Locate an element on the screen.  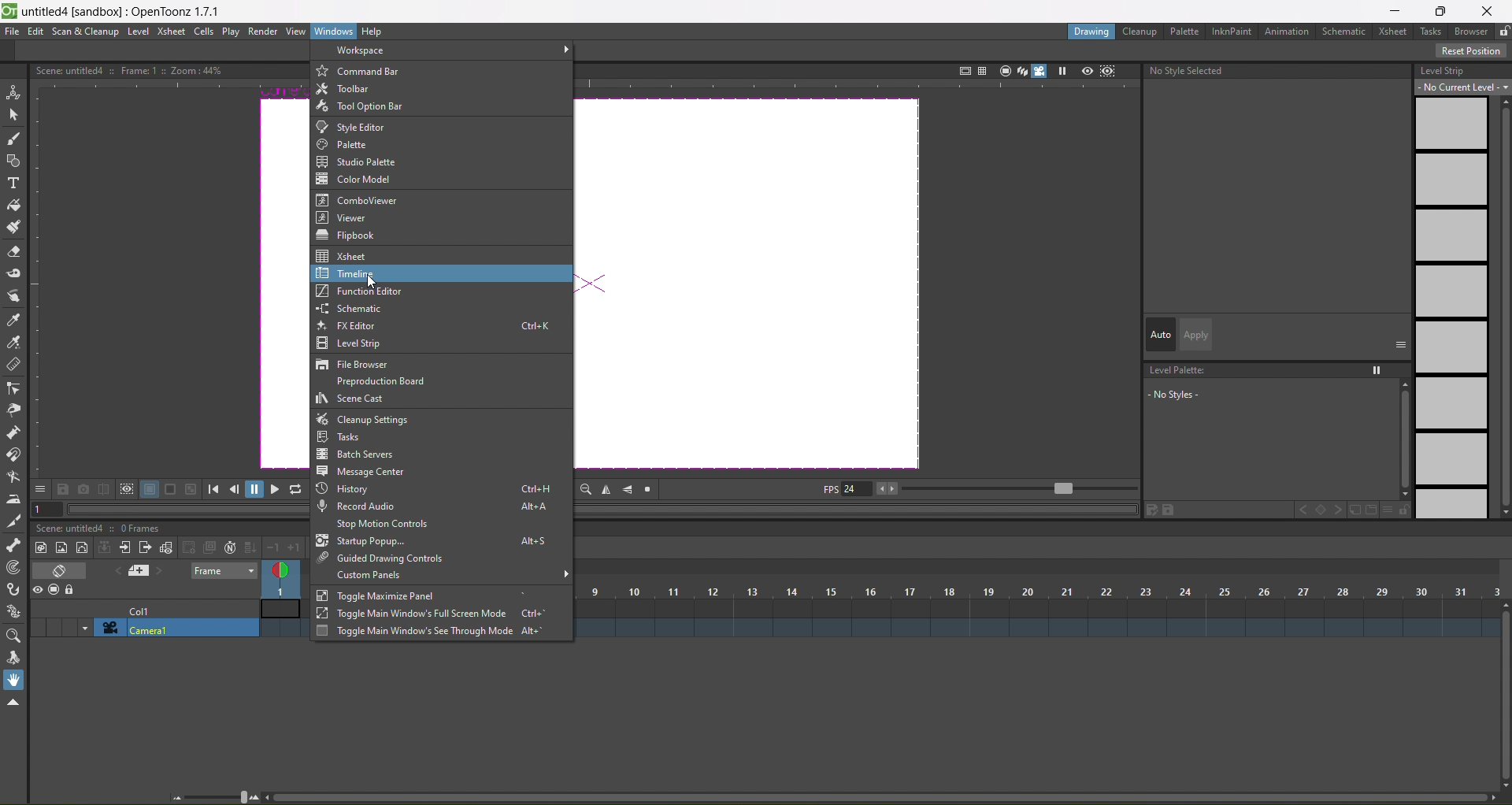
reset position is located at coordinates (1473, 51).